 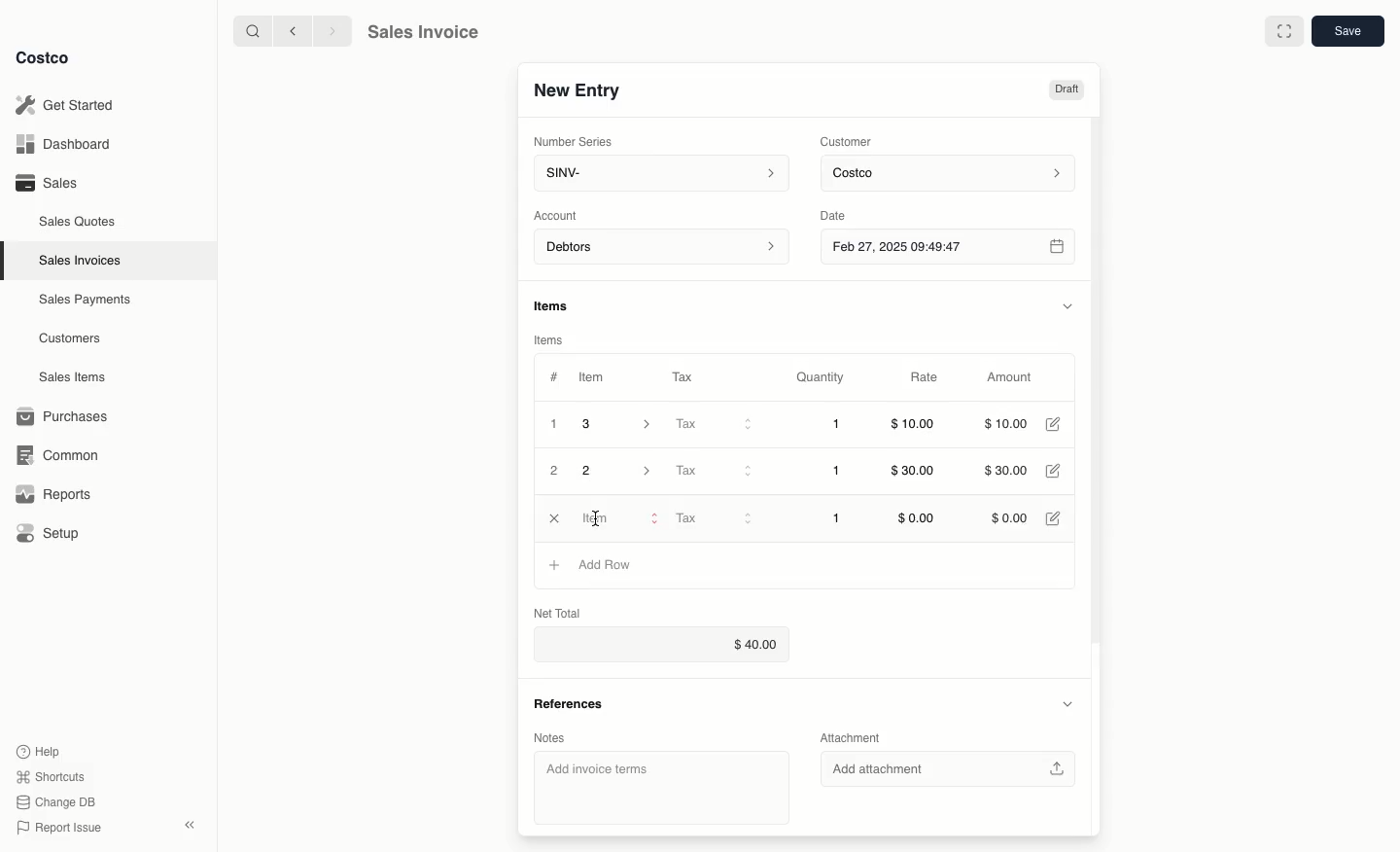 What do you see at coordinates (79, 221) in the screenshot?
I see `Sales Quotes` at bounding box center [79, 221].